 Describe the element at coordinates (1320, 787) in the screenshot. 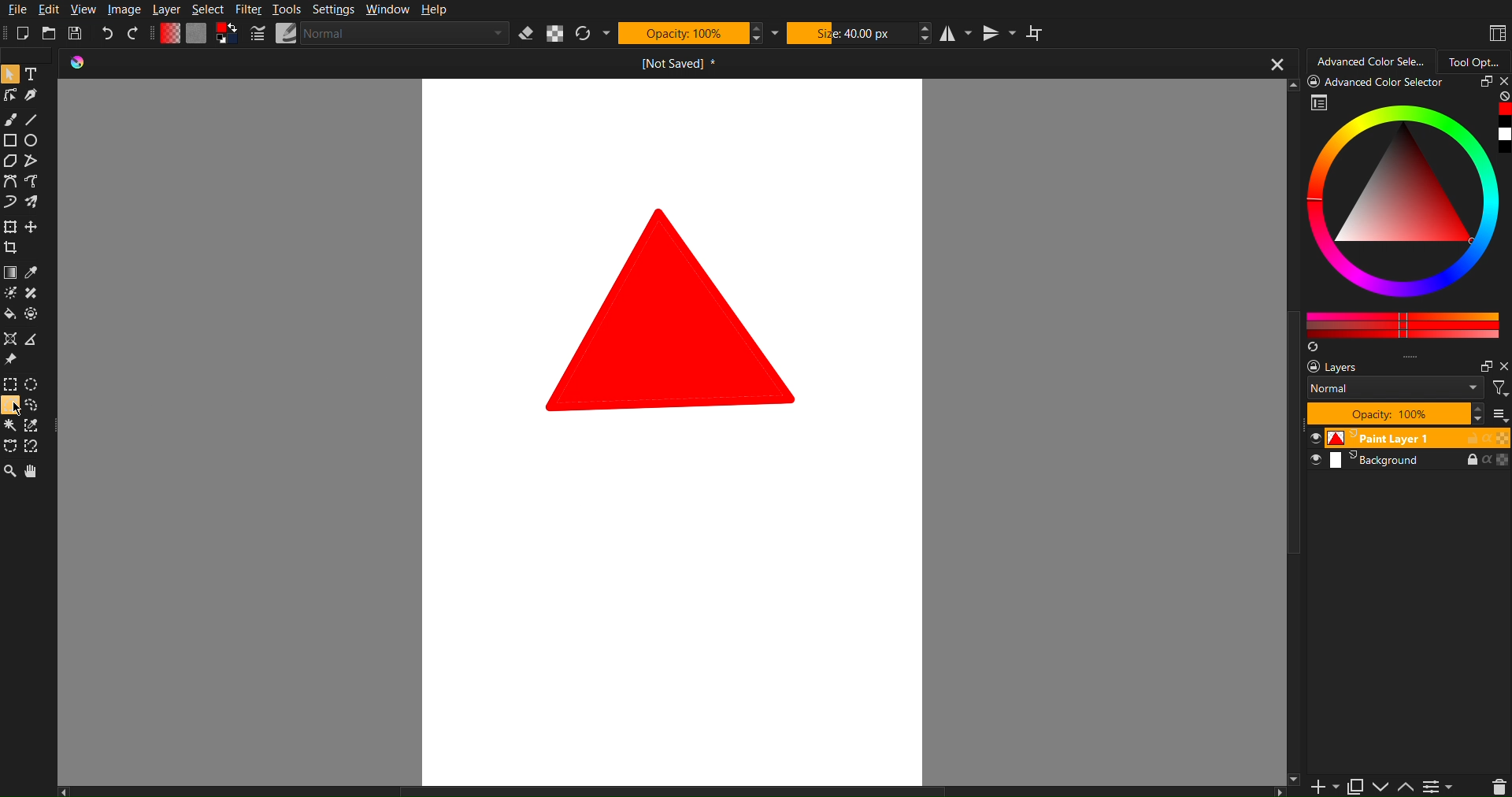

I see `Add` at that location.